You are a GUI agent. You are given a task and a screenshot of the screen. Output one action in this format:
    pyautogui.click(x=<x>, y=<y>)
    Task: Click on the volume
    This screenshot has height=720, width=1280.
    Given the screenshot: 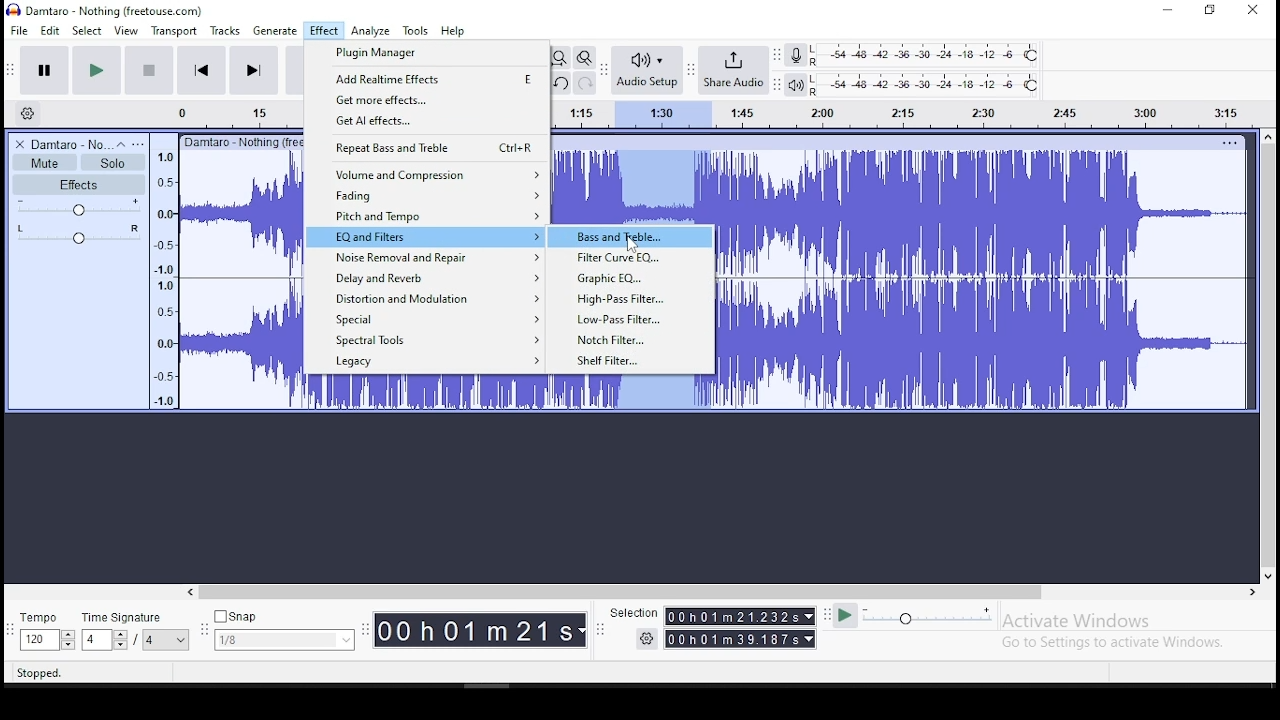 What is the action you would take?
    pyautogui.click(x=80, y=207)
    